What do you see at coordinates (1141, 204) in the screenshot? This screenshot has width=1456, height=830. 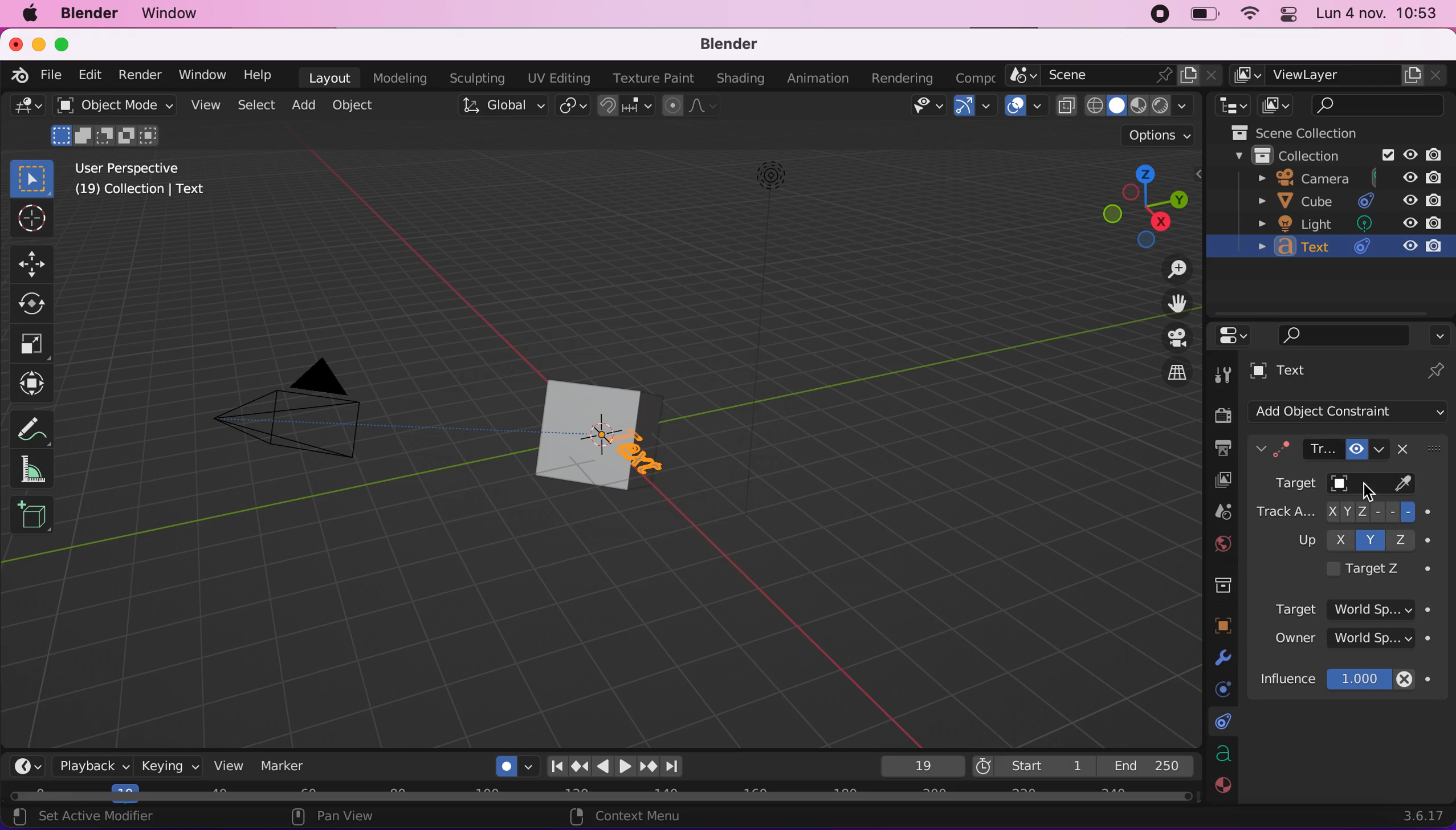 I see `click, shortcut, drag` at bounding box center [1141, 204].